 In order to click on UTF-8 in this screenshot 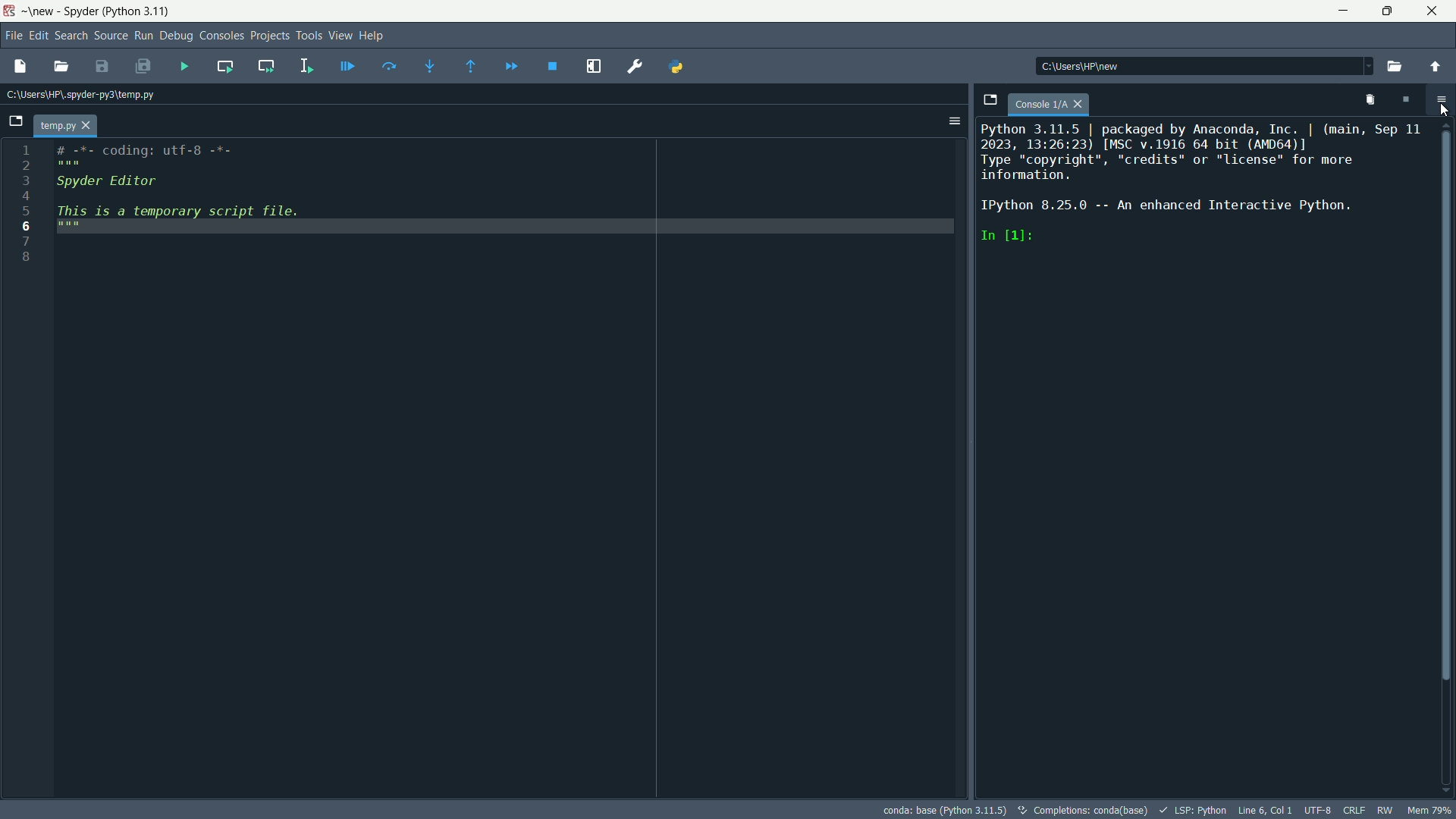, I will do `click(1318, 811)`.